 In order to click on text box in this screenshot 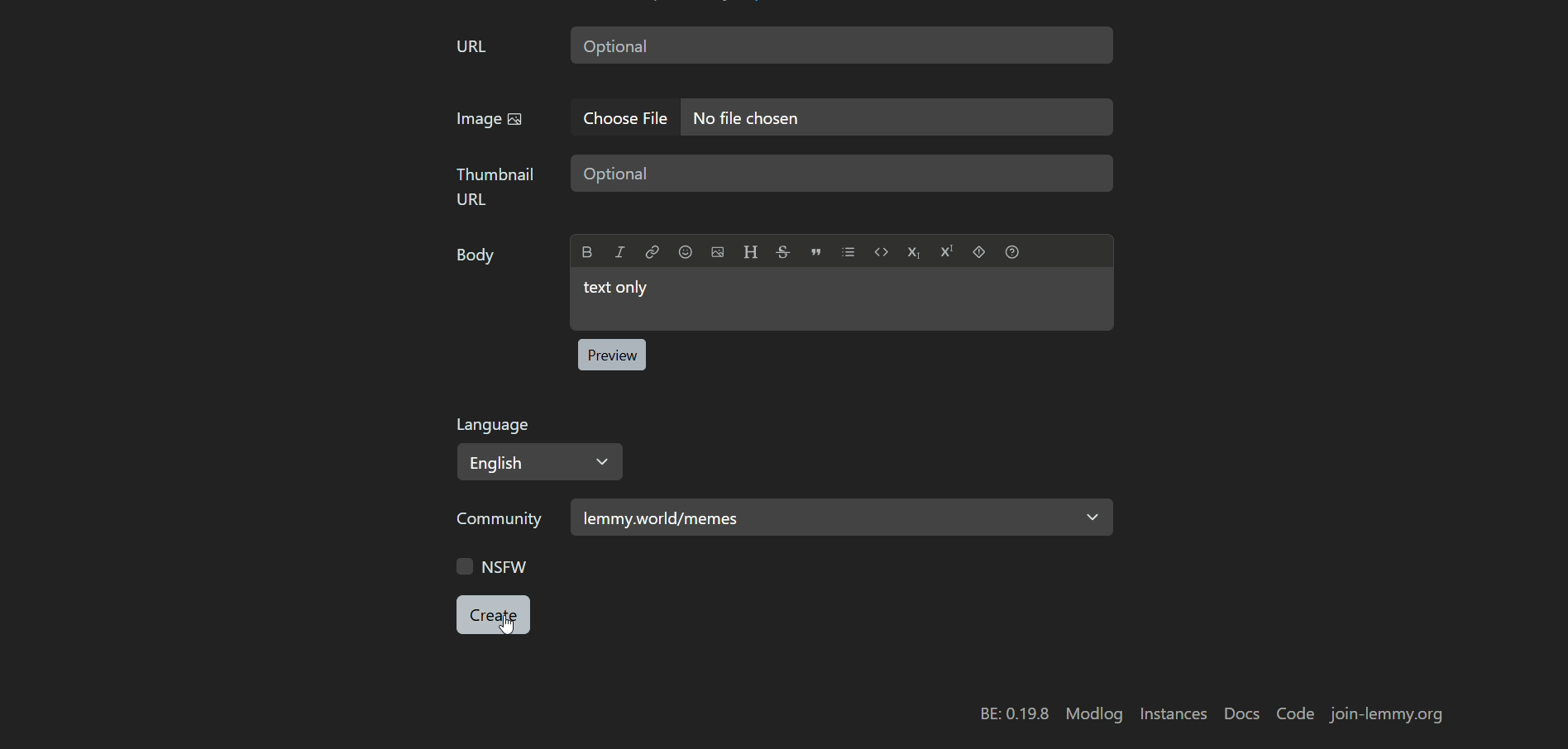, I will do `click(842, 174)`.